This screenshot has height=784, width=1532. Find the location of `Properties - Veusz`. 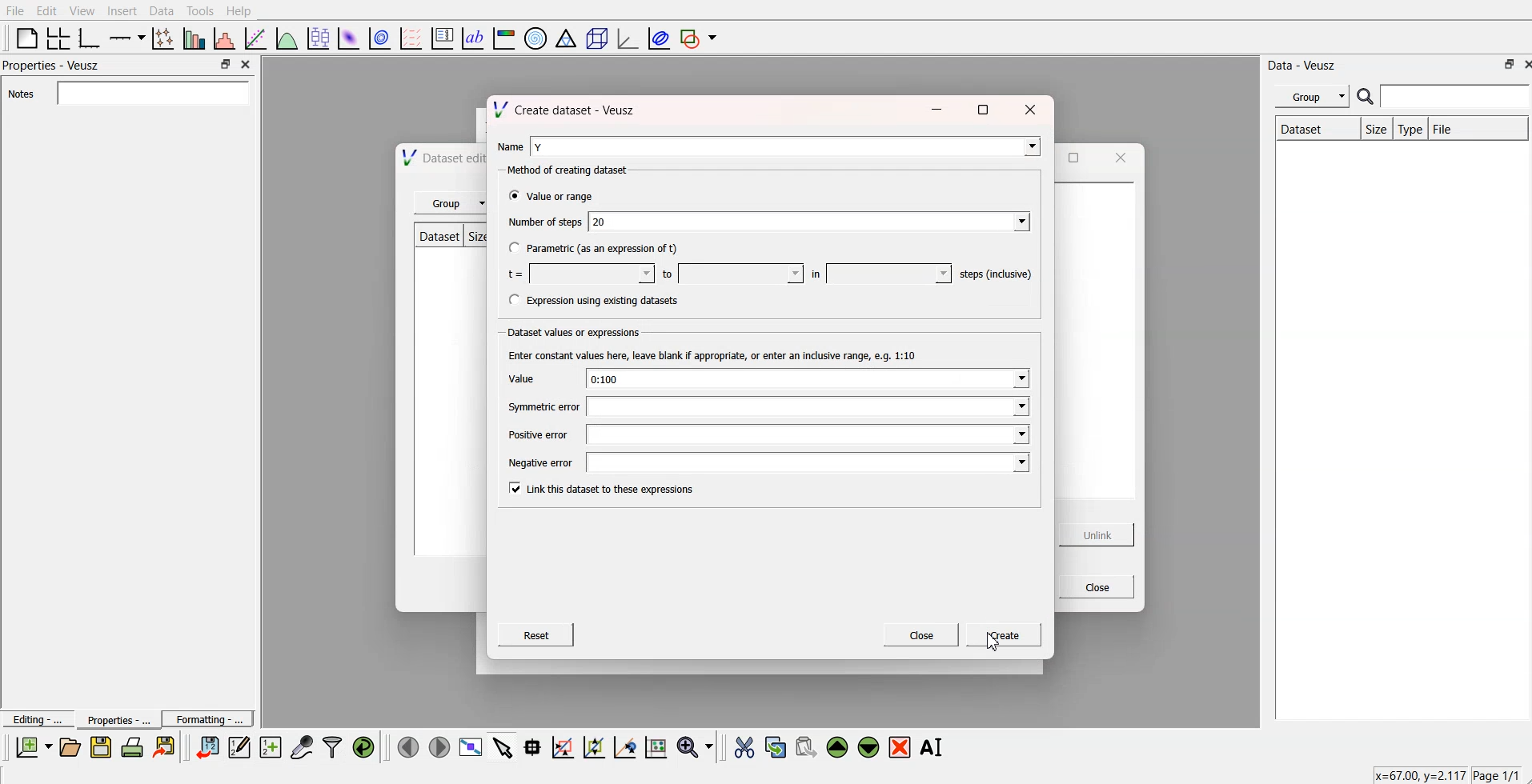

Properties - Veusz is located at coordinates (52, 66).